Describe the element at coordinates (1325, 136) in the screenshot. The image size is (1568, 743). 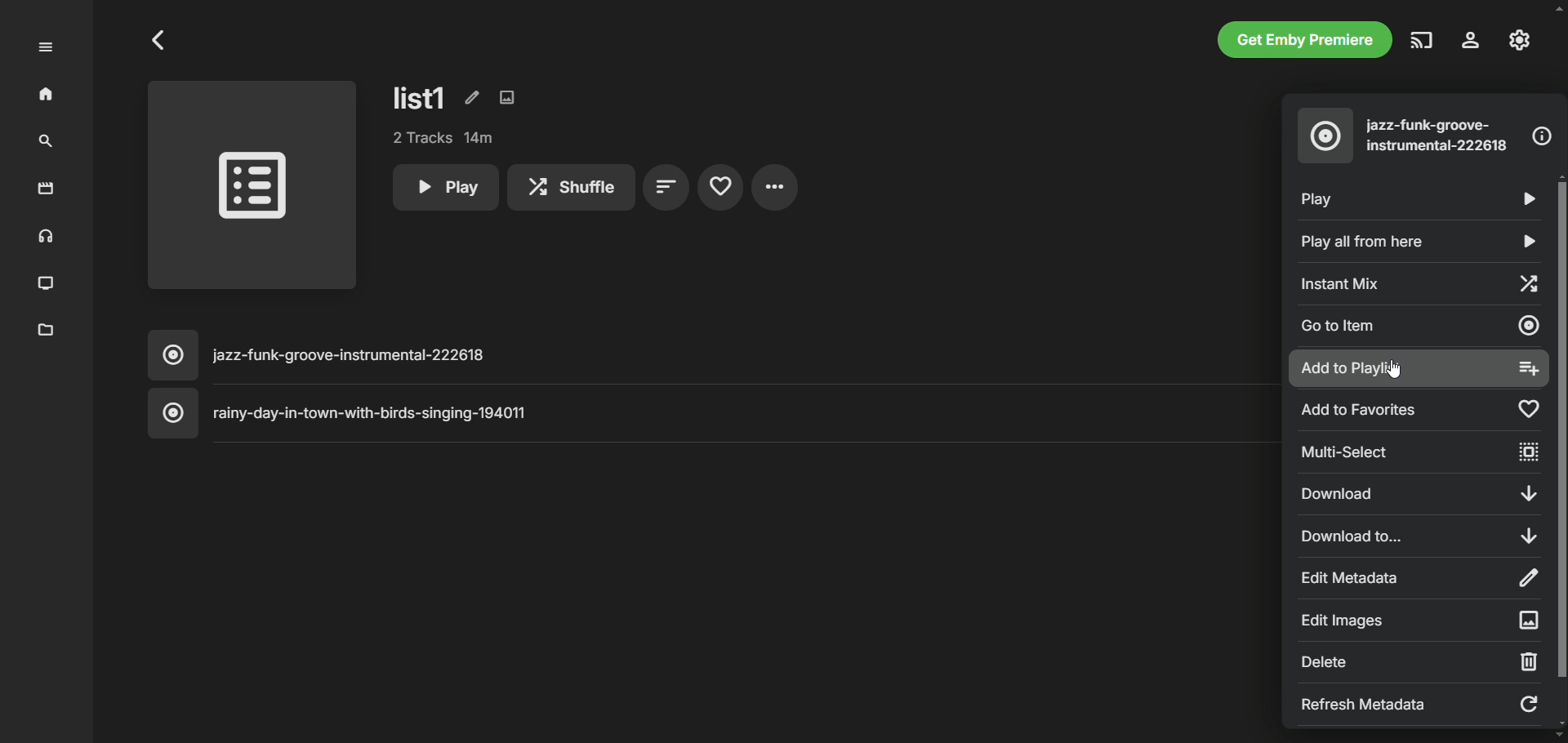
I see `music album` at that location.